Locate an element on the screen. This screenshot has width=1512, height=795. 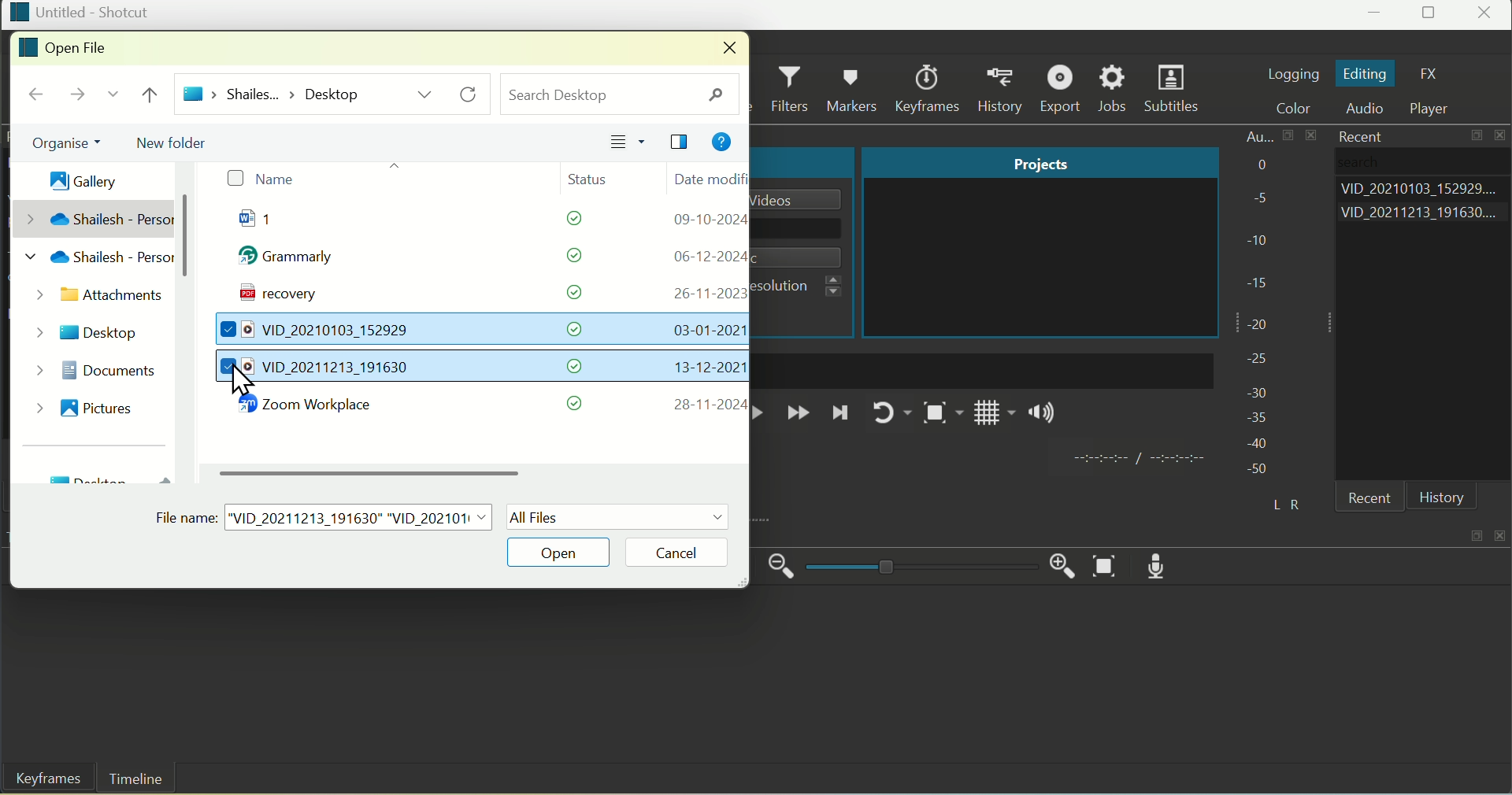
status is located at coordinates (565, 256).